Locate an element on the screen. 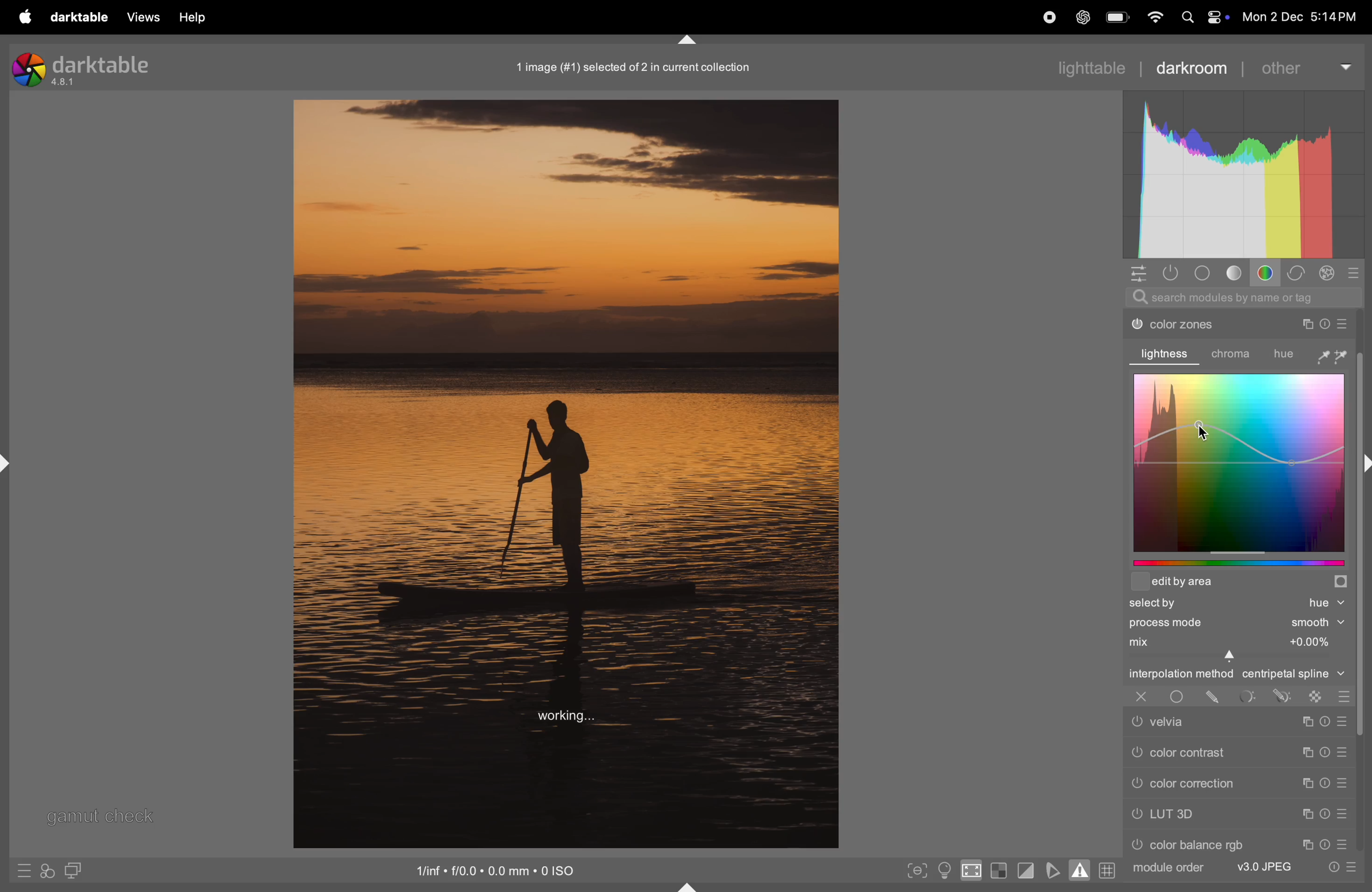 This screenshot has height=892, width=1372.  is located at coordinates (1248, 697).